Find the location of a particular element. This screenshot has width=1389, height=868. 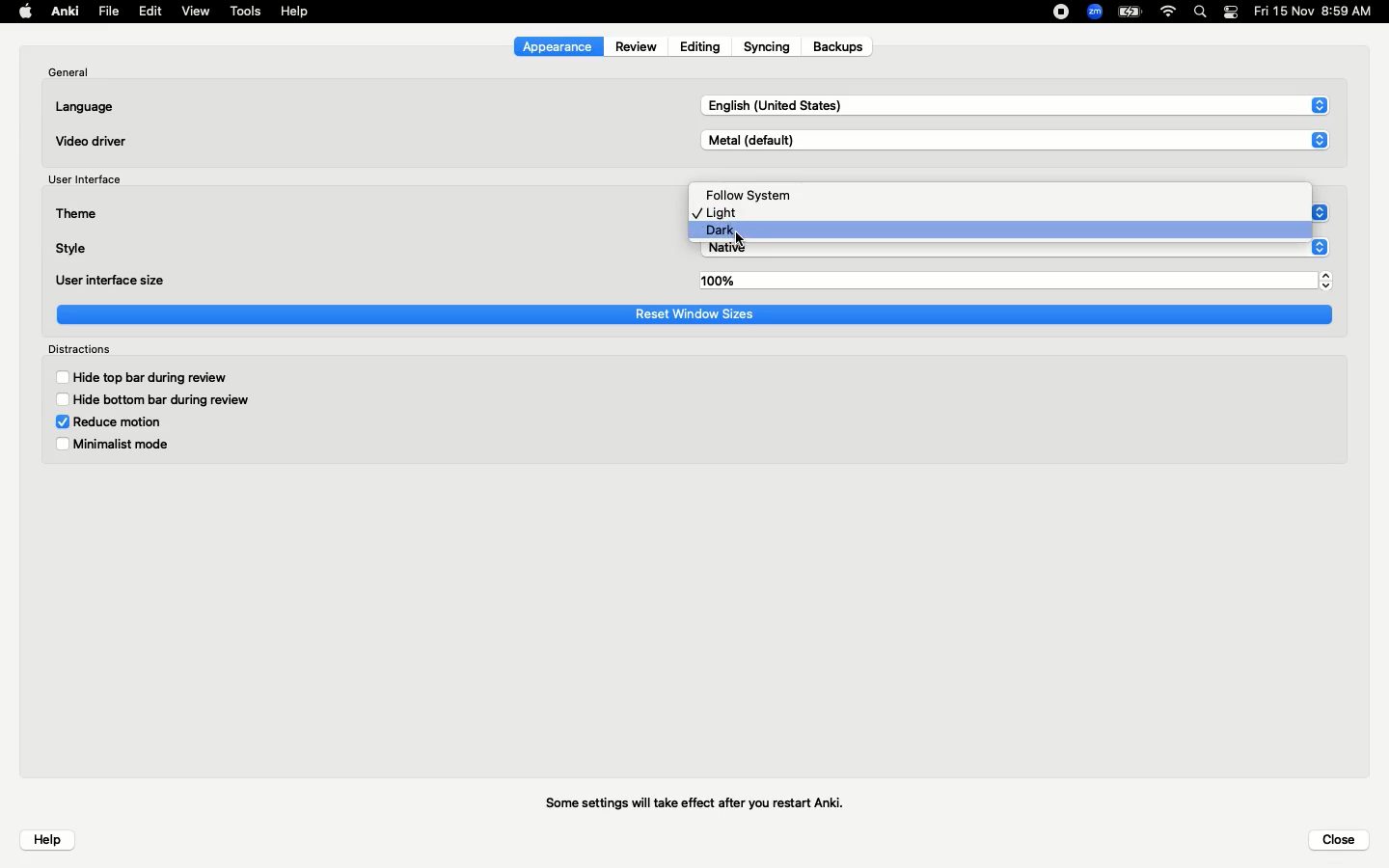

Date/time is located at coordinates (1313, 13).